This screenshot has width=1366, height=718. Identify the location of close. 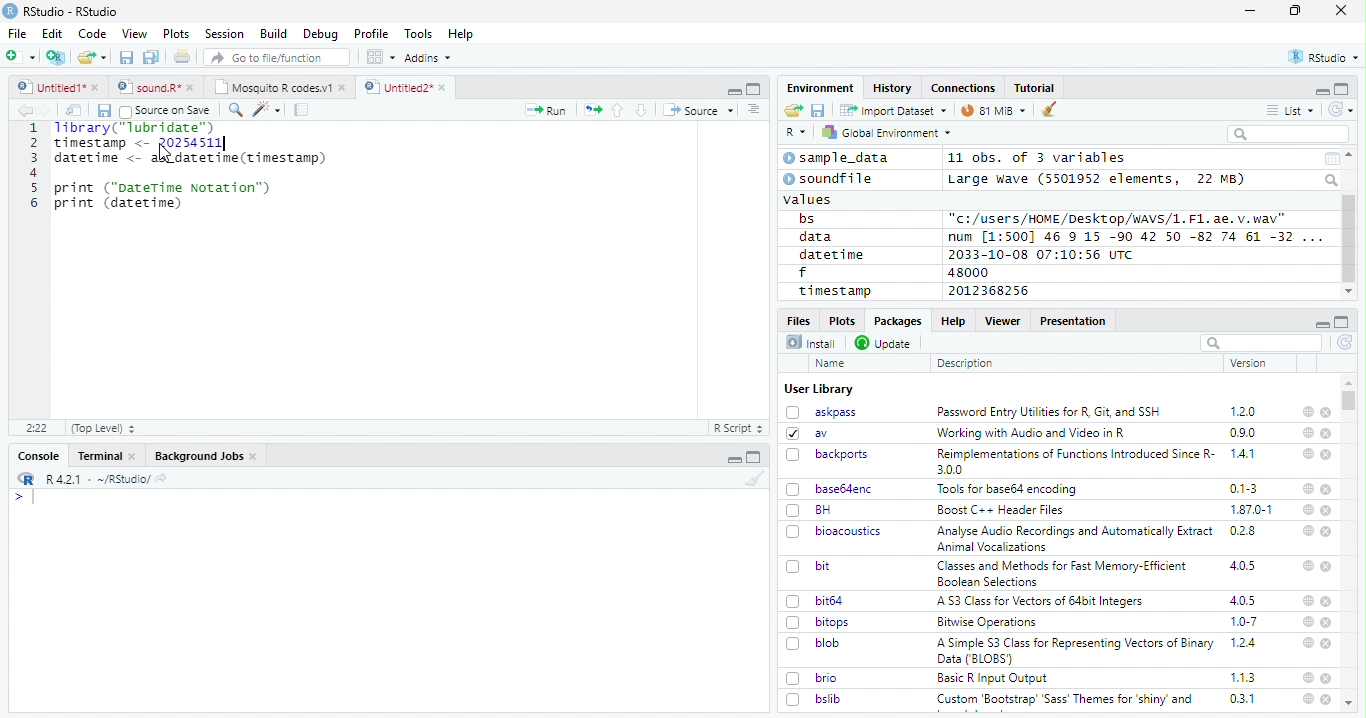
(1326, 413).